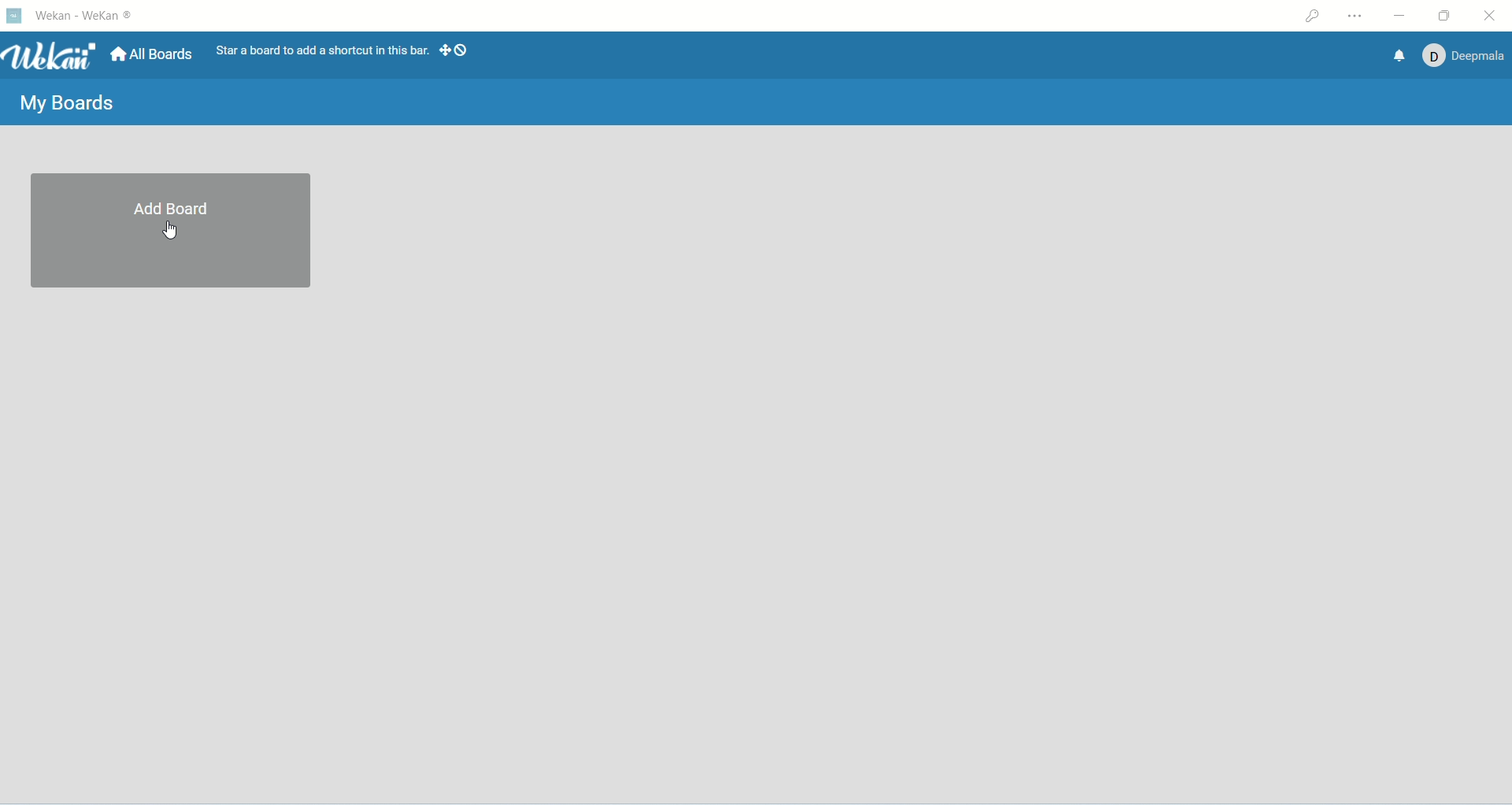 Image resolution: width=1512 pixels, height=805 pixels. I want to click on account details, so click(1461, 55).